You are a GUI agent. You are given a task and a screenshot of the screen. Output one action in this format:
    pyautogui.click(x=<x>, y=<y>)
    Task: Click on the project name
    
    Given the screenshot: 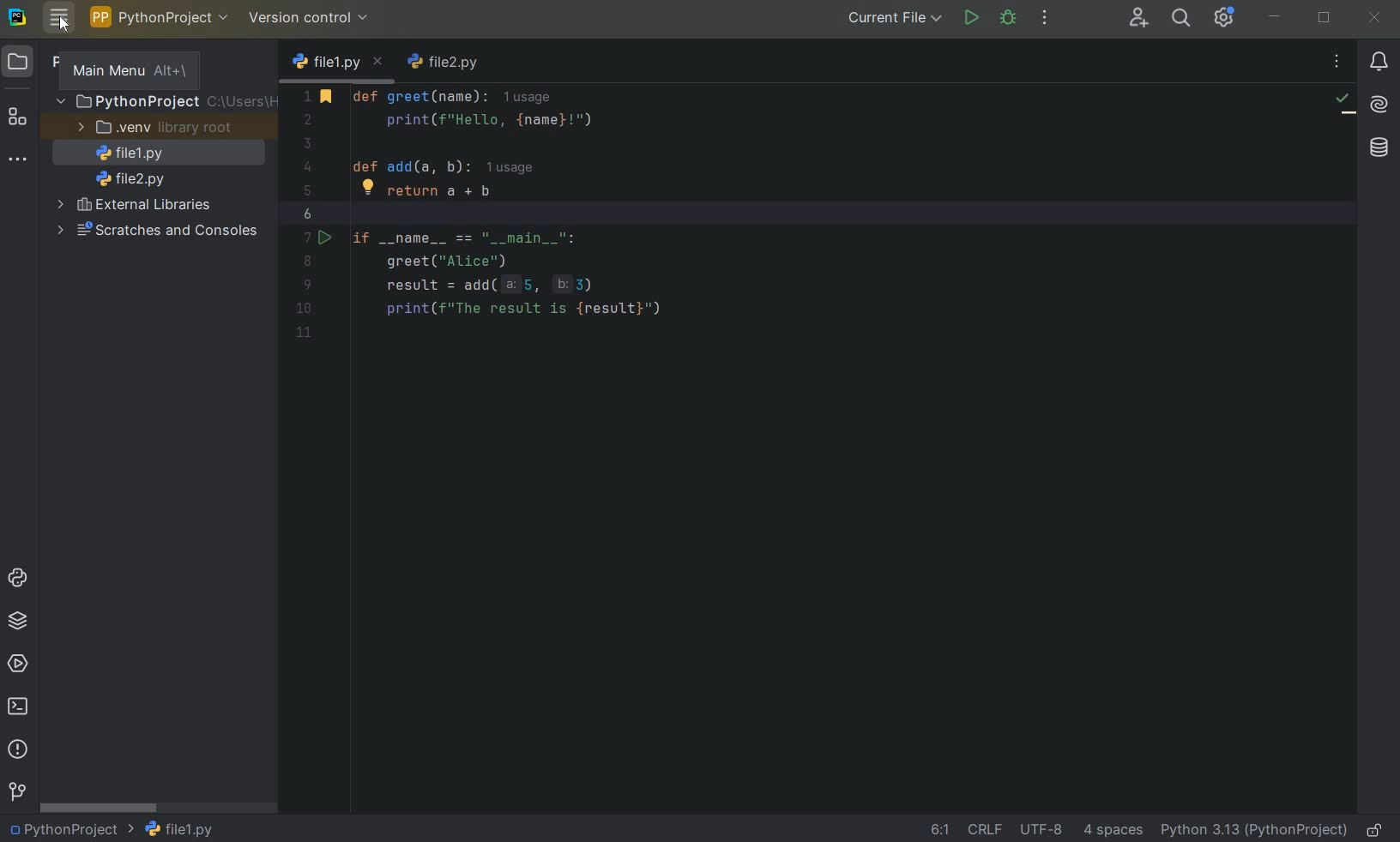 What is the action you would take?
    pyautogui.click(x=158, y=18)
    